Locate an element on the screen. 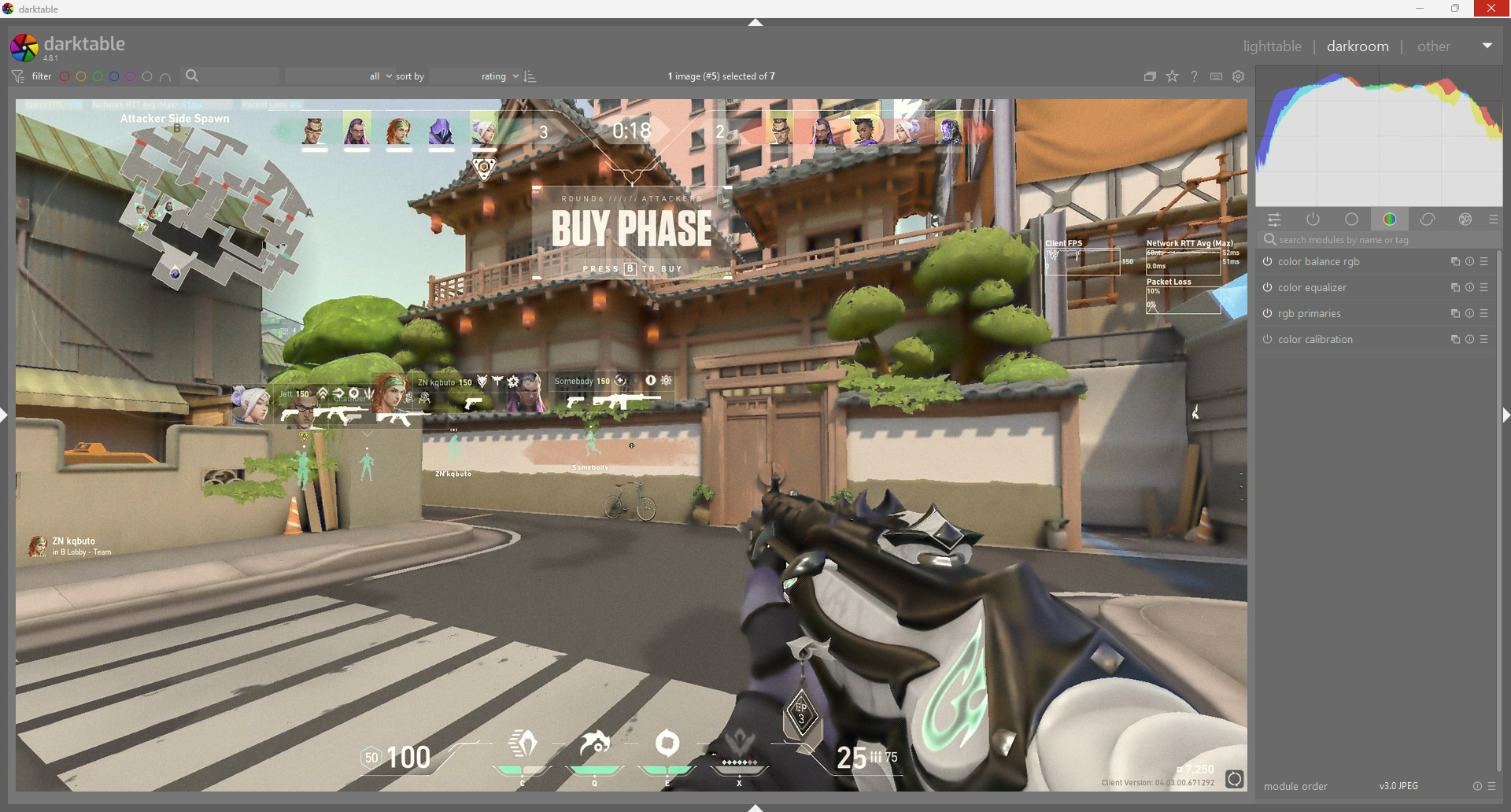 Image resolution: width=1511 pixels, height=812 pixels. active module is located at coordinates (1316, 220).